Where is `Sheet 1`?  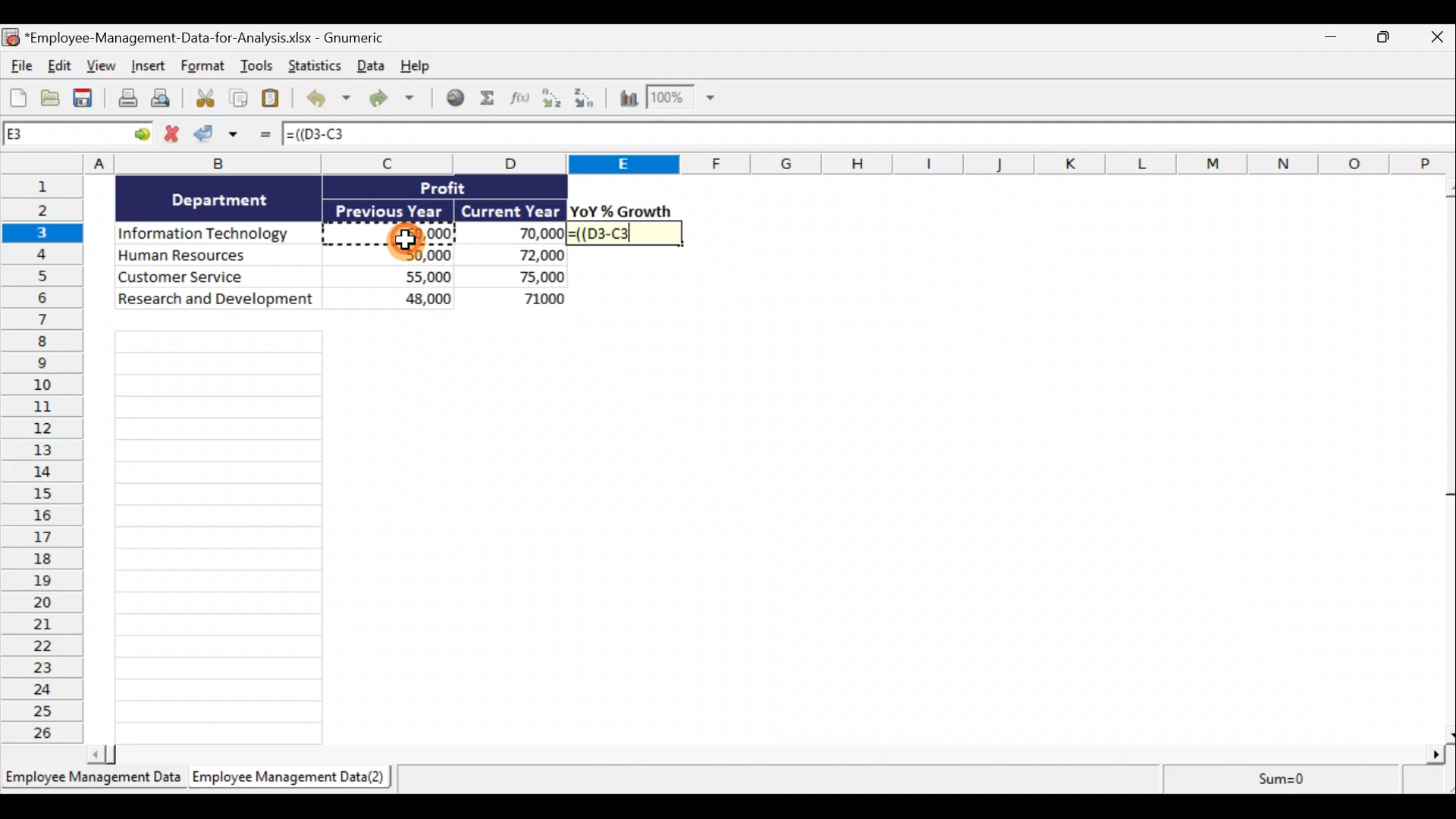
Sheet 1 is located at coordinates (91, 778).